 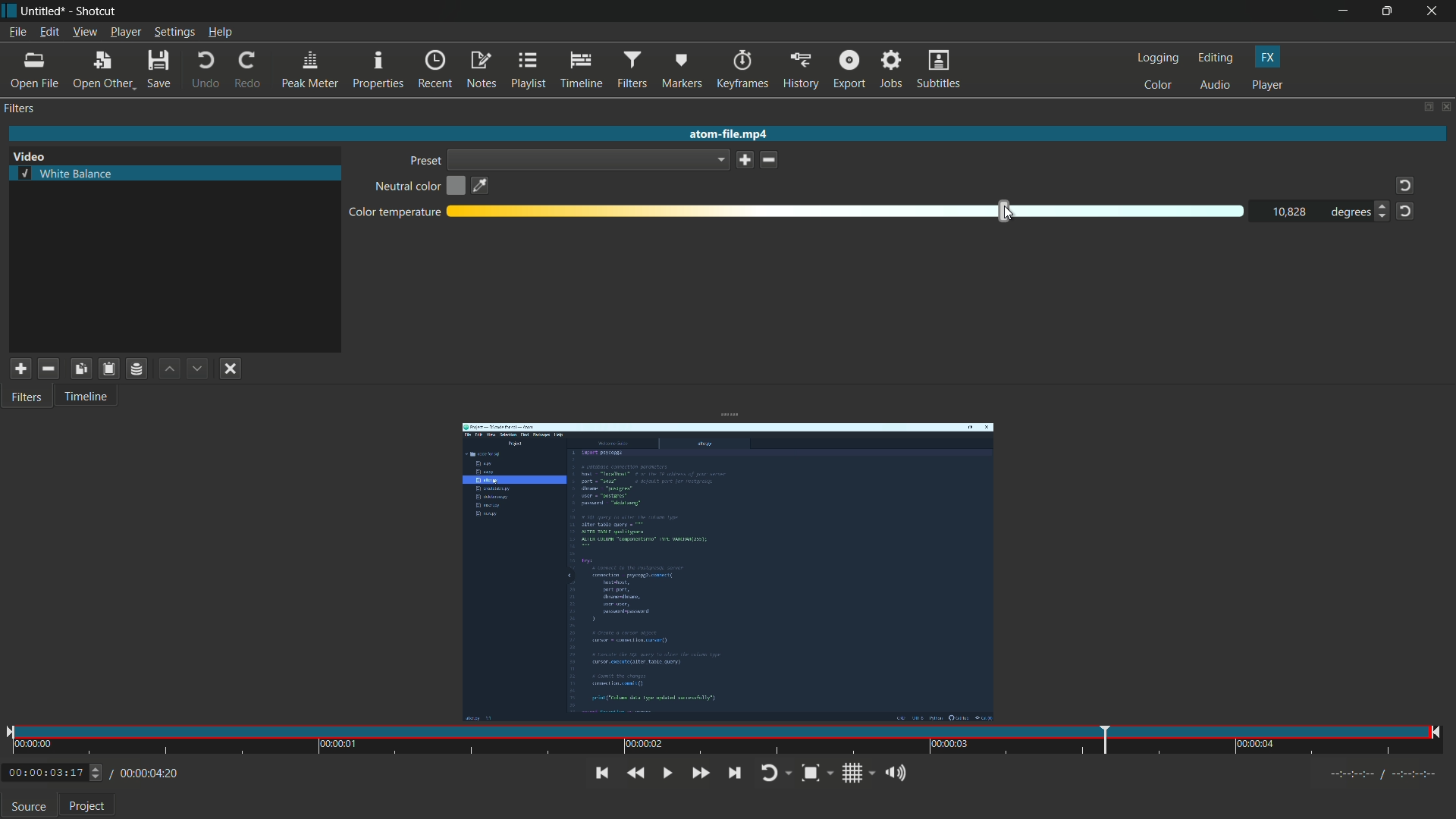 I want to click on subtitles, so click(x=939, y=68).